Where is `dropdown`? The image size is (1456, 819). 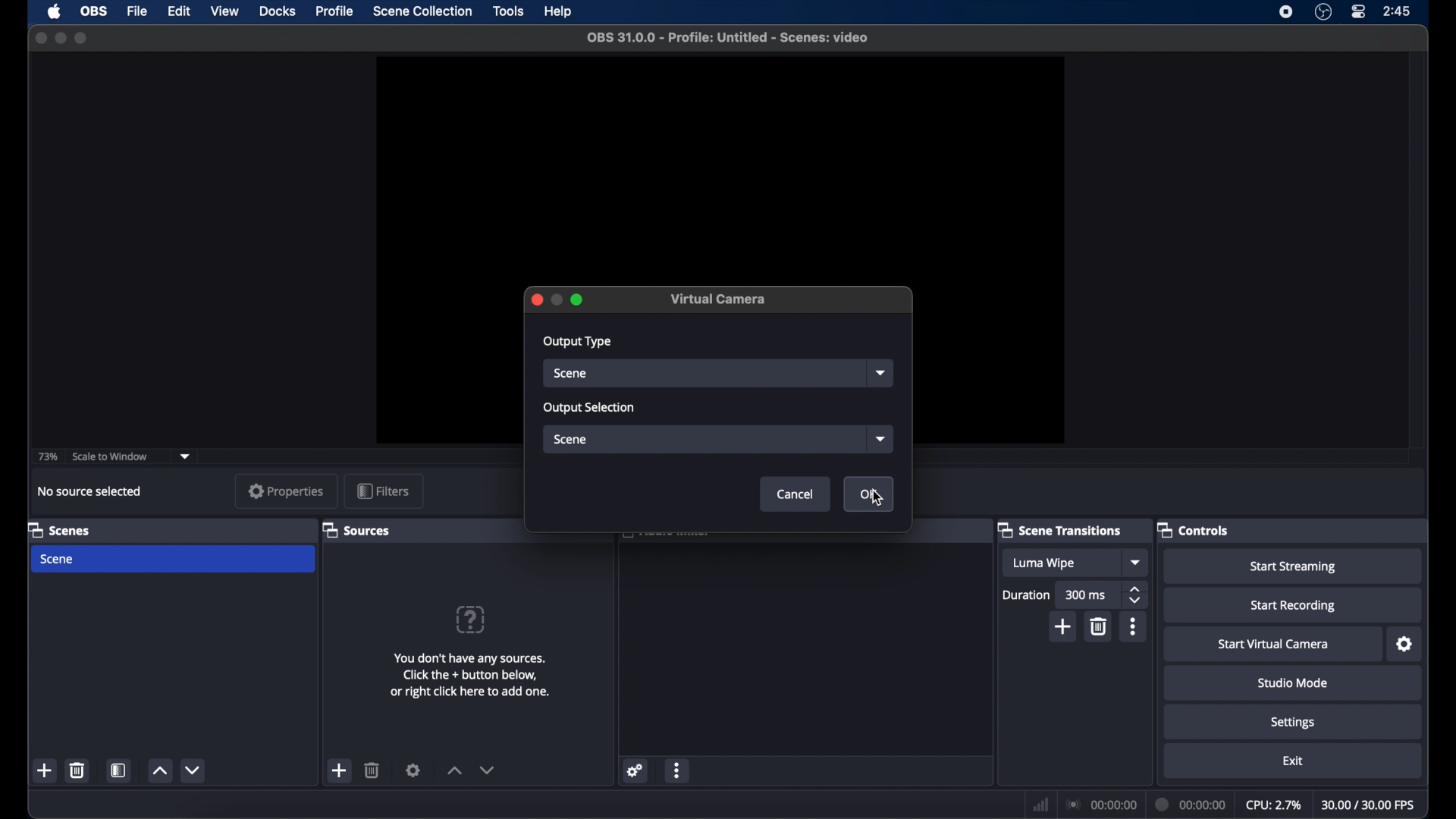 dropdown is located at coordinates (882, 373).